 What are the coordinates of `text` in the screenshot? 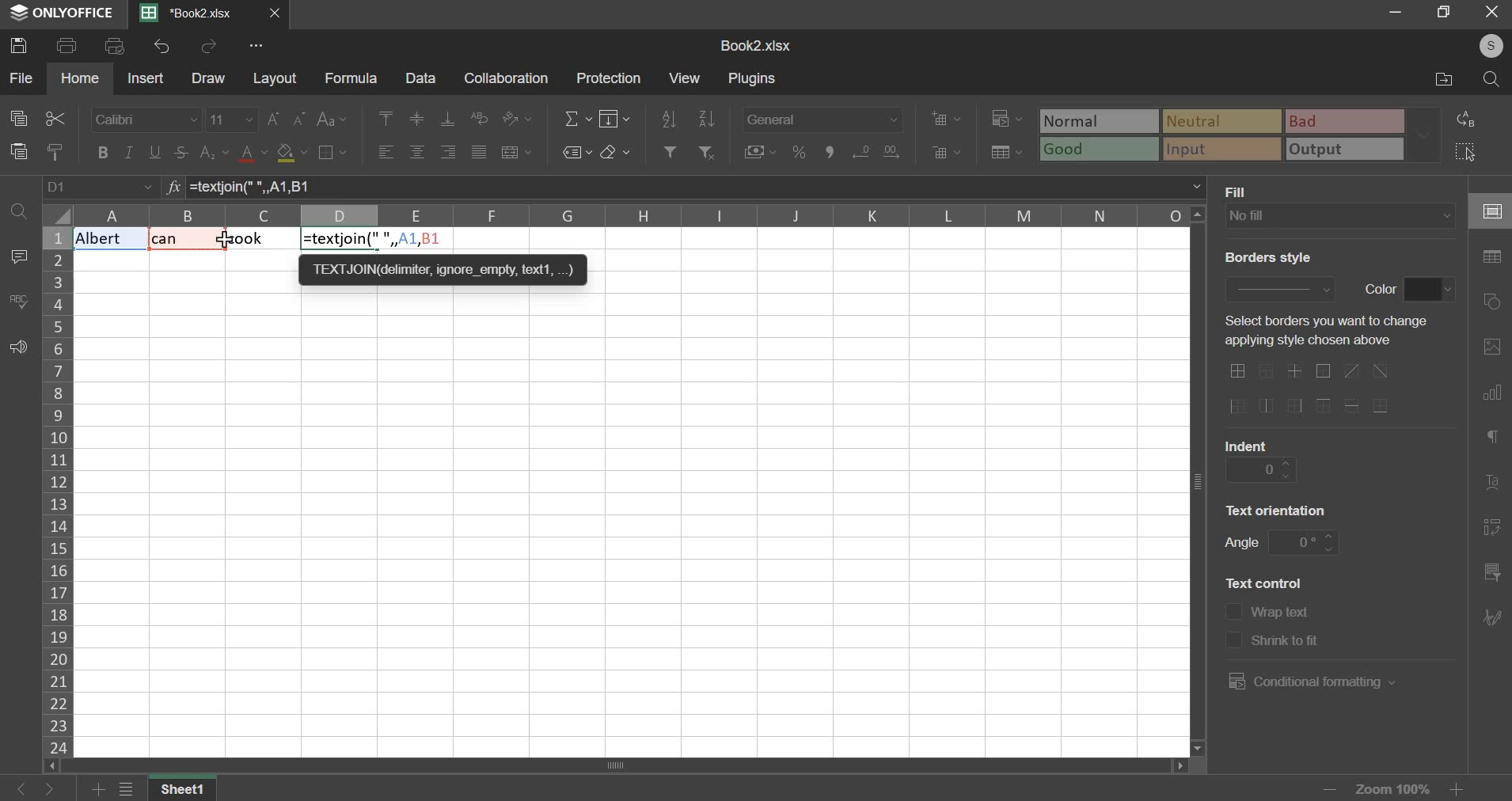 It's located at (1264, 582).